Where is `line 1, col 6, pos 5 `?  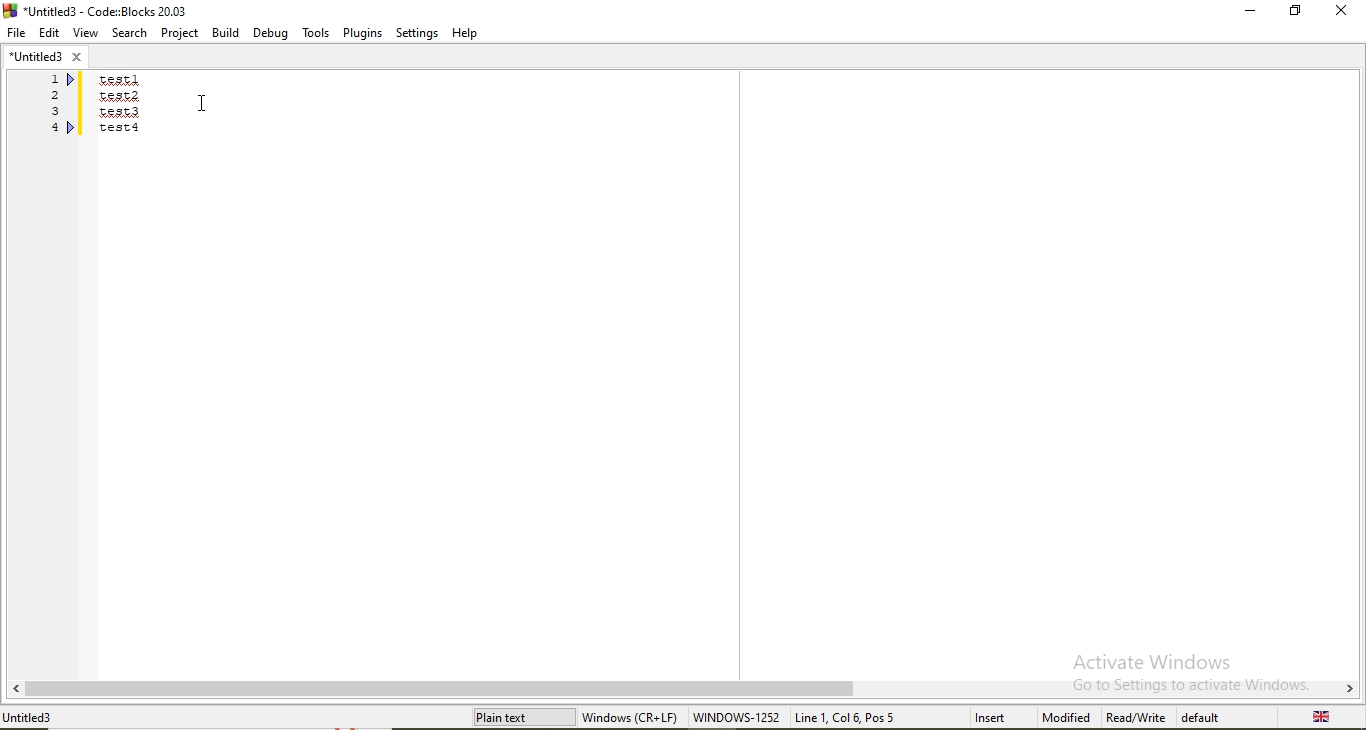 line 1, col 6, pos 5  is located at coordinates (857, 717).